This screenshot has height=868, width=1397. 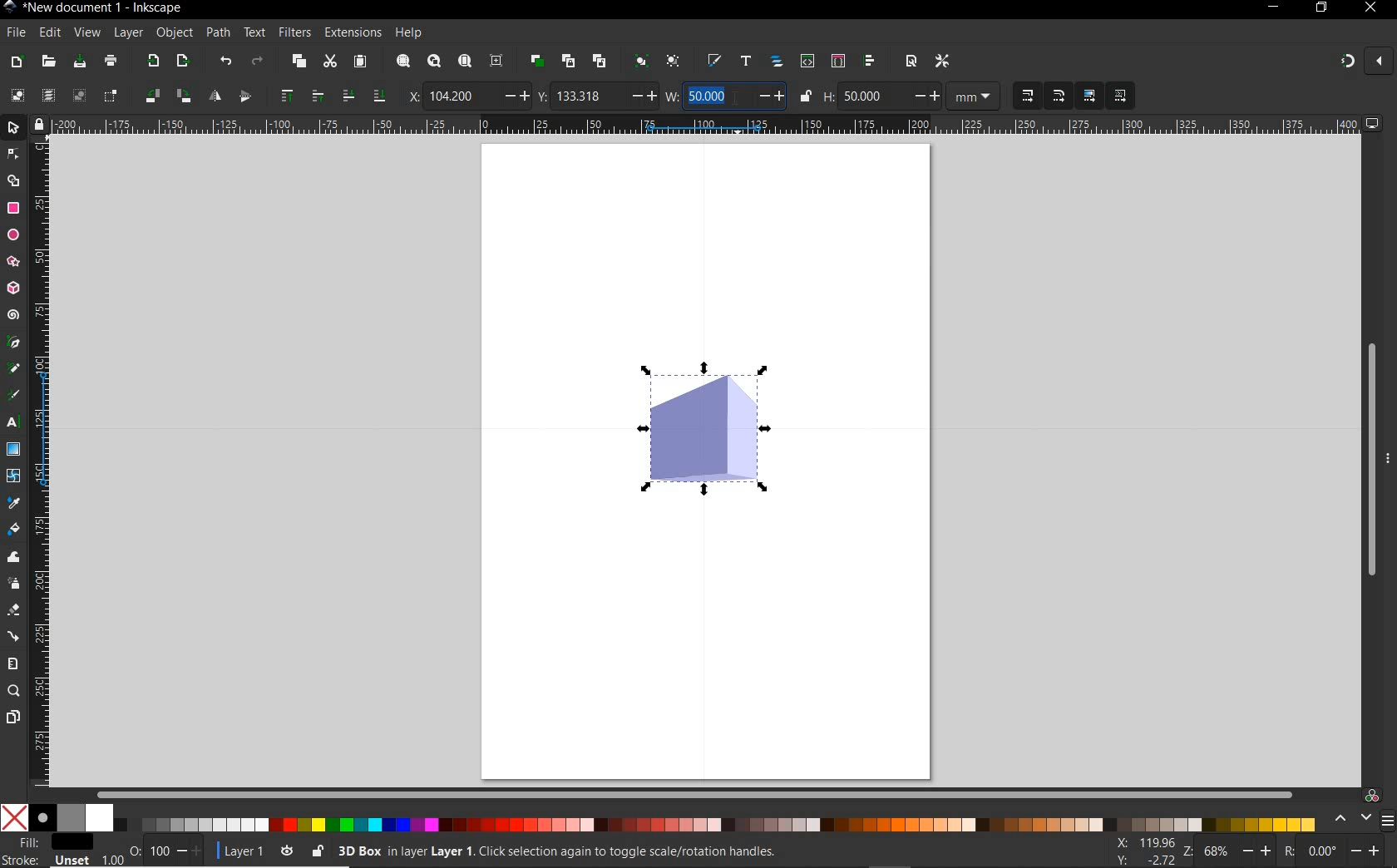 I want to click on zoom, so click(x=1187, y=852).